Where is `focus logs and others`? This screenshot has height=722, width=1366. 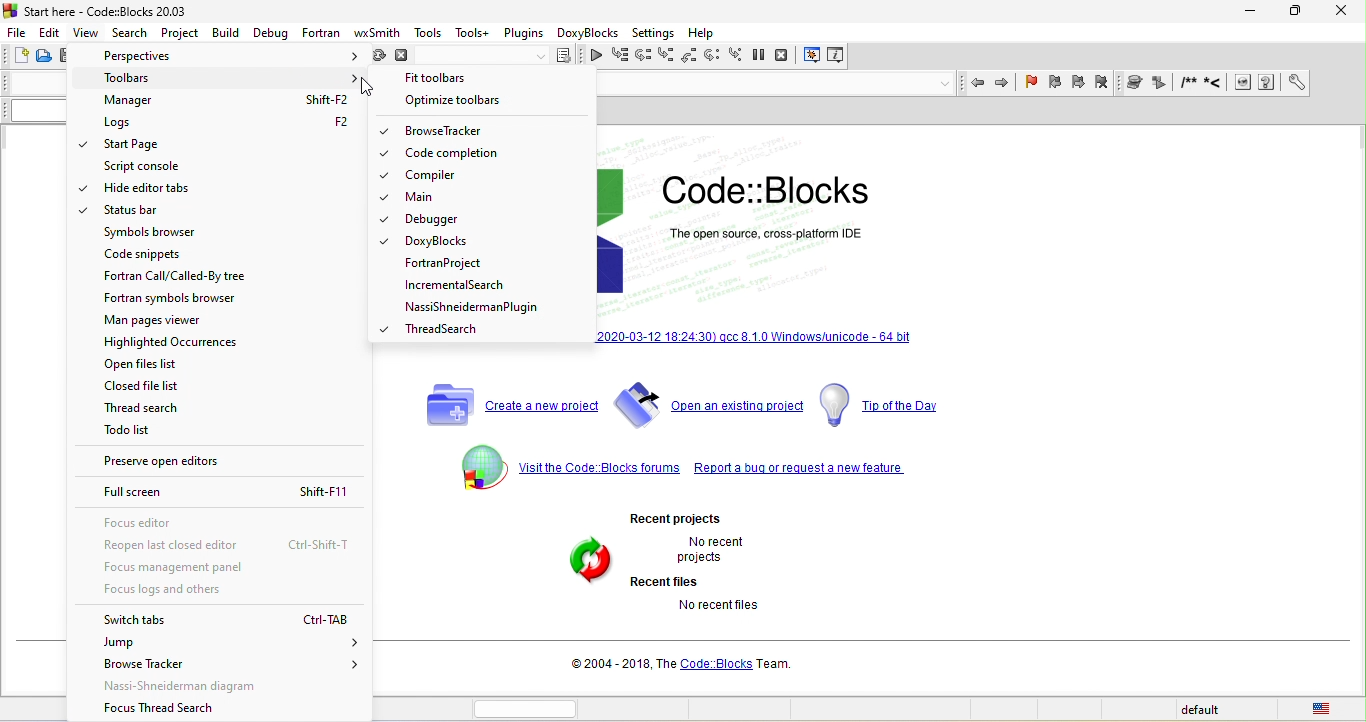
focus logs and others is located at coordinates (203, 592).